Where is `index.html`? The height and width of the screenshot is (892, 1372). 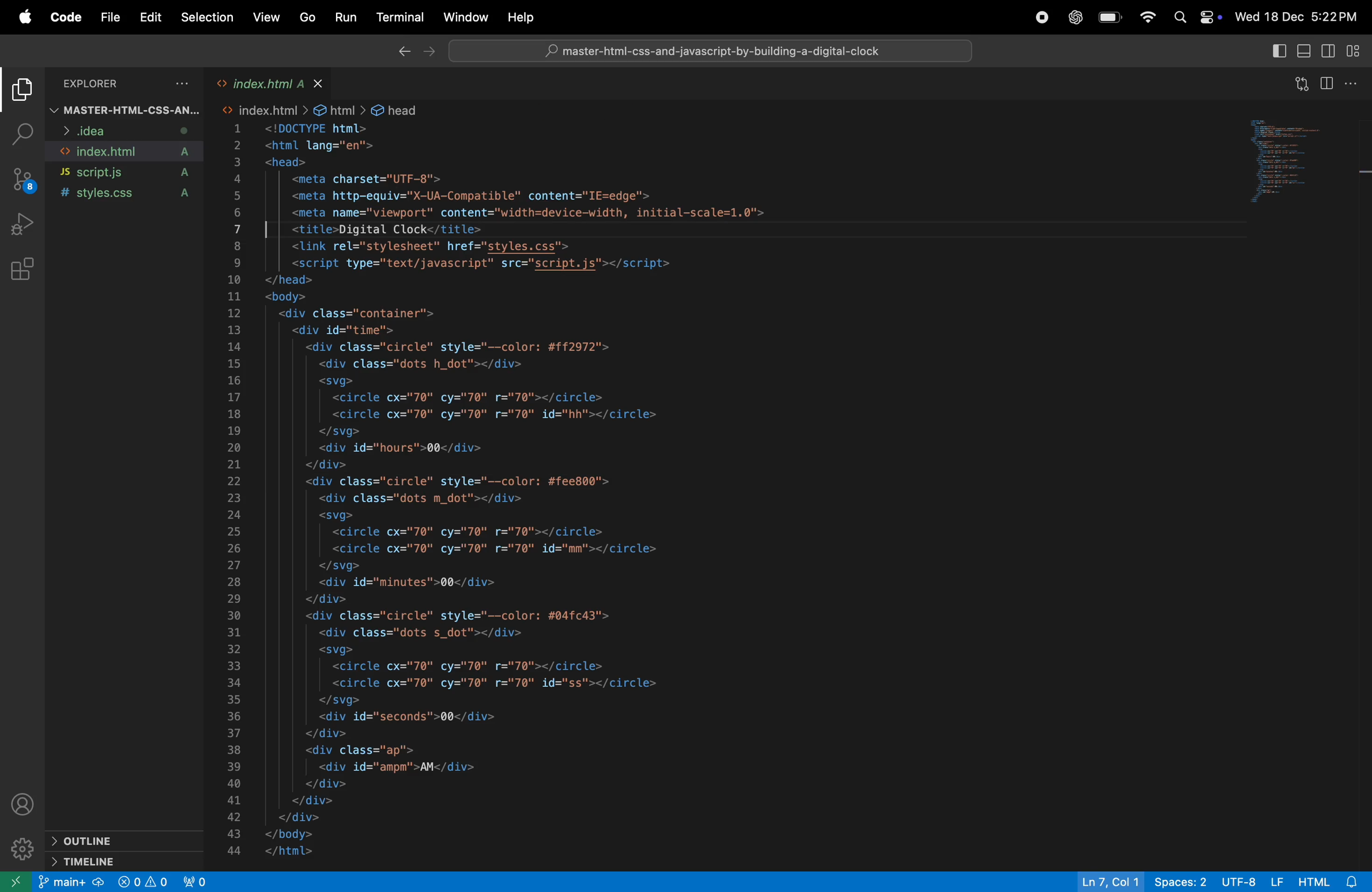
index.html is located at coordinates (126, 152).